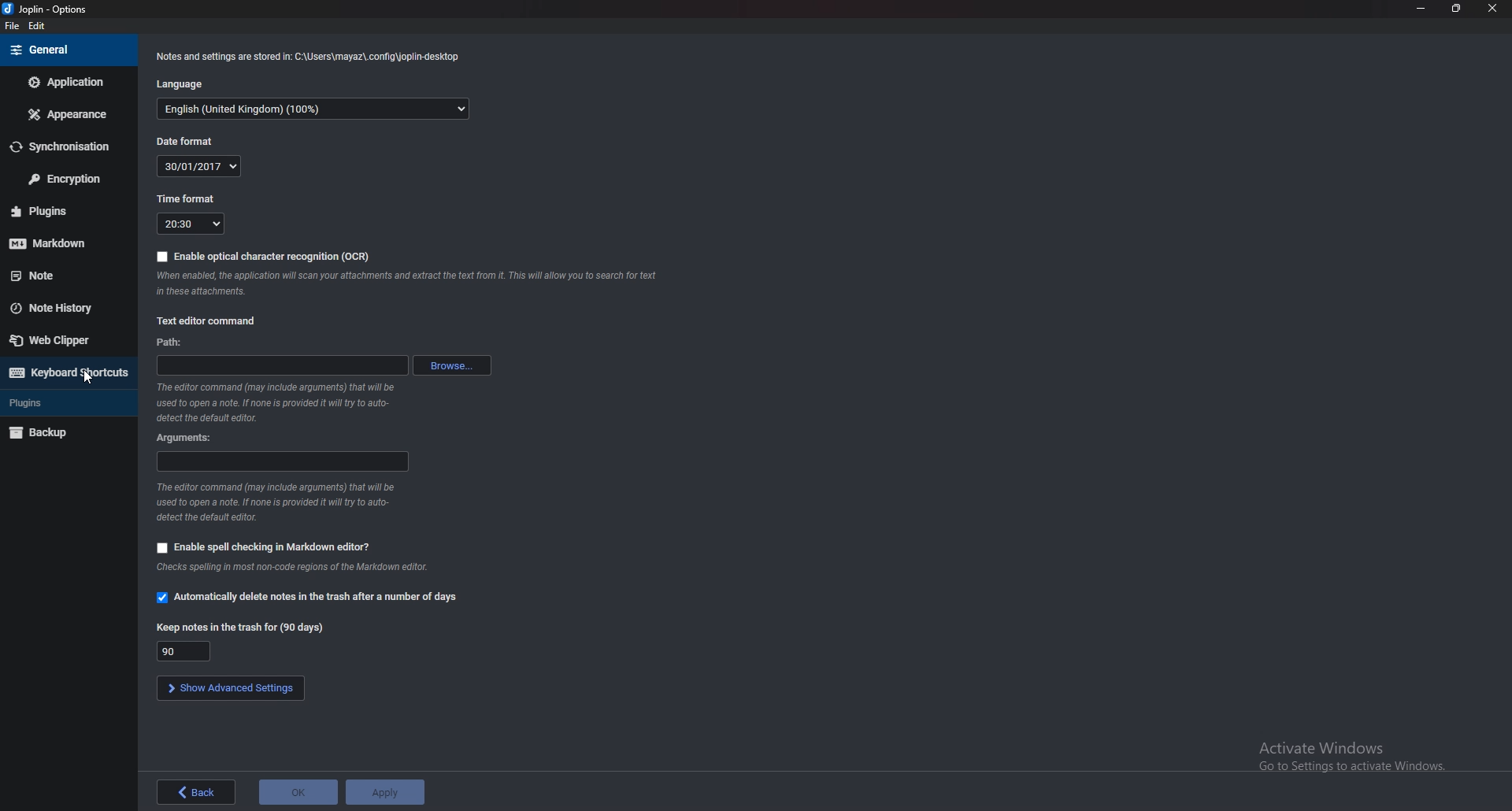  Describe the element at coordinates (66, 340) in the screenshot. I see `Web Clipper` at that location.